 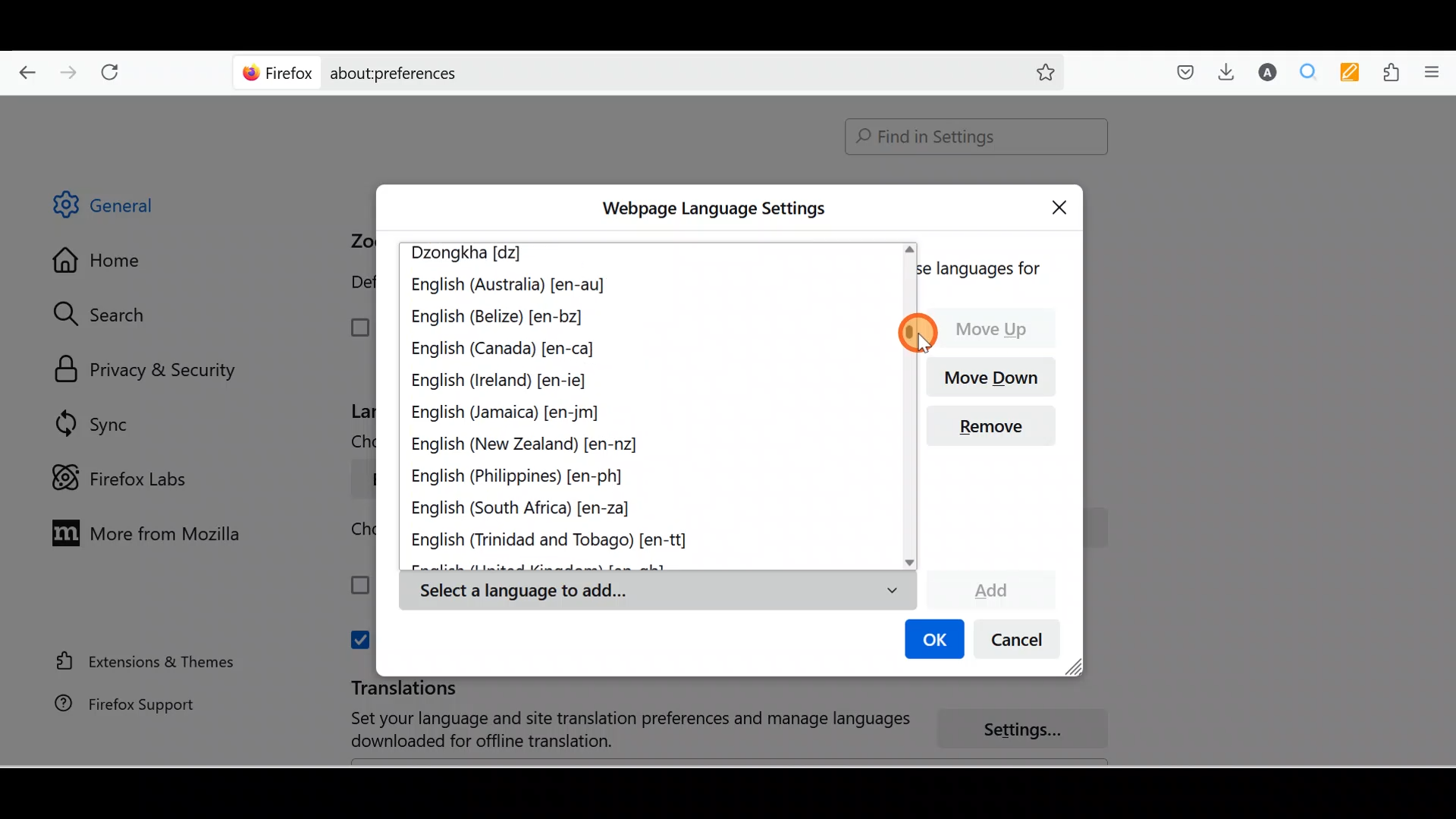 What do you see at coordinates (504, 378) in the screenshot?
I see `English (Ireland) [en-ie]` at bounding box center [504, 378].